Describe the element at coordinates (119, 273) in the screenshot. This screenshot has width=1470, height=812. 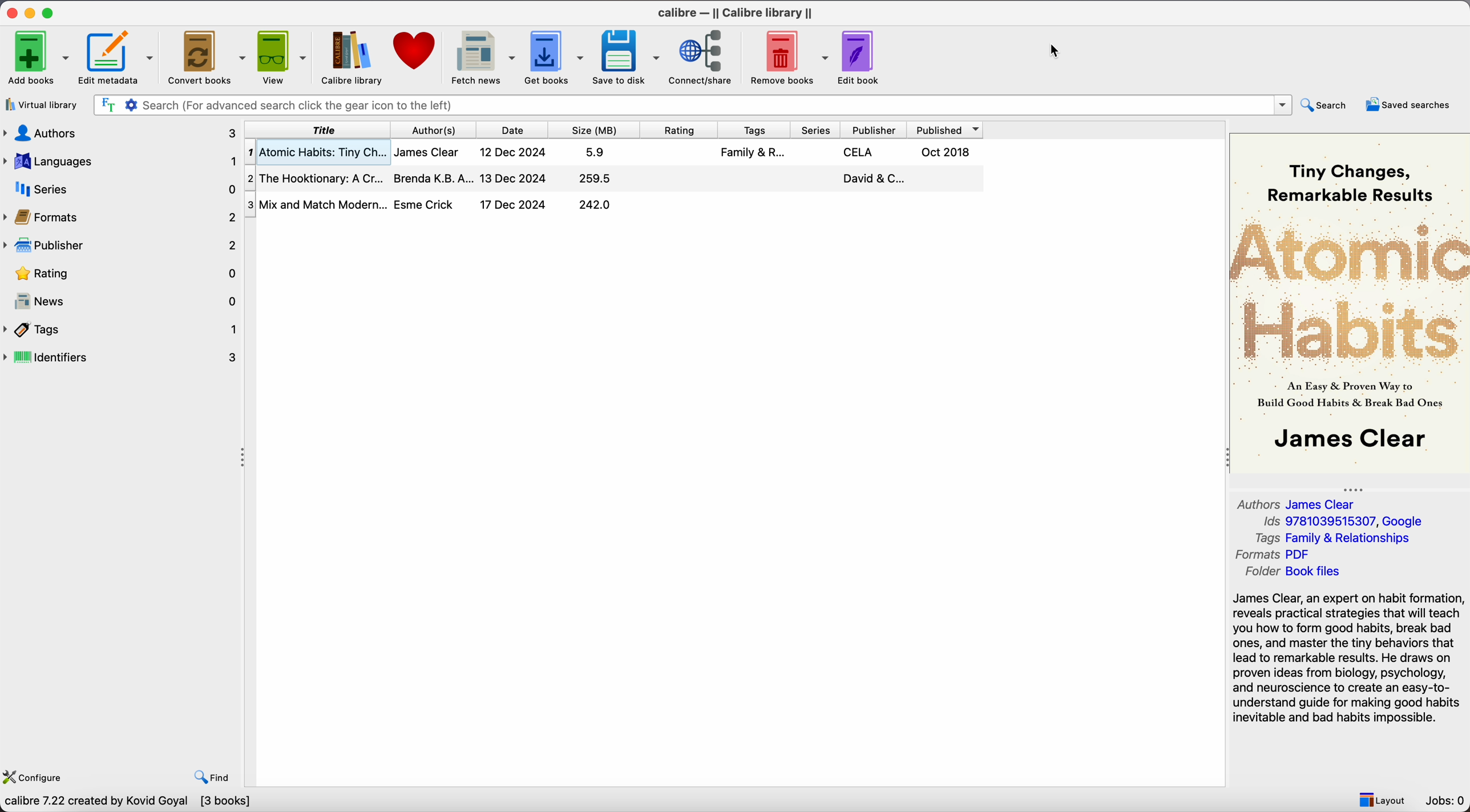
I see `rating` at that location.